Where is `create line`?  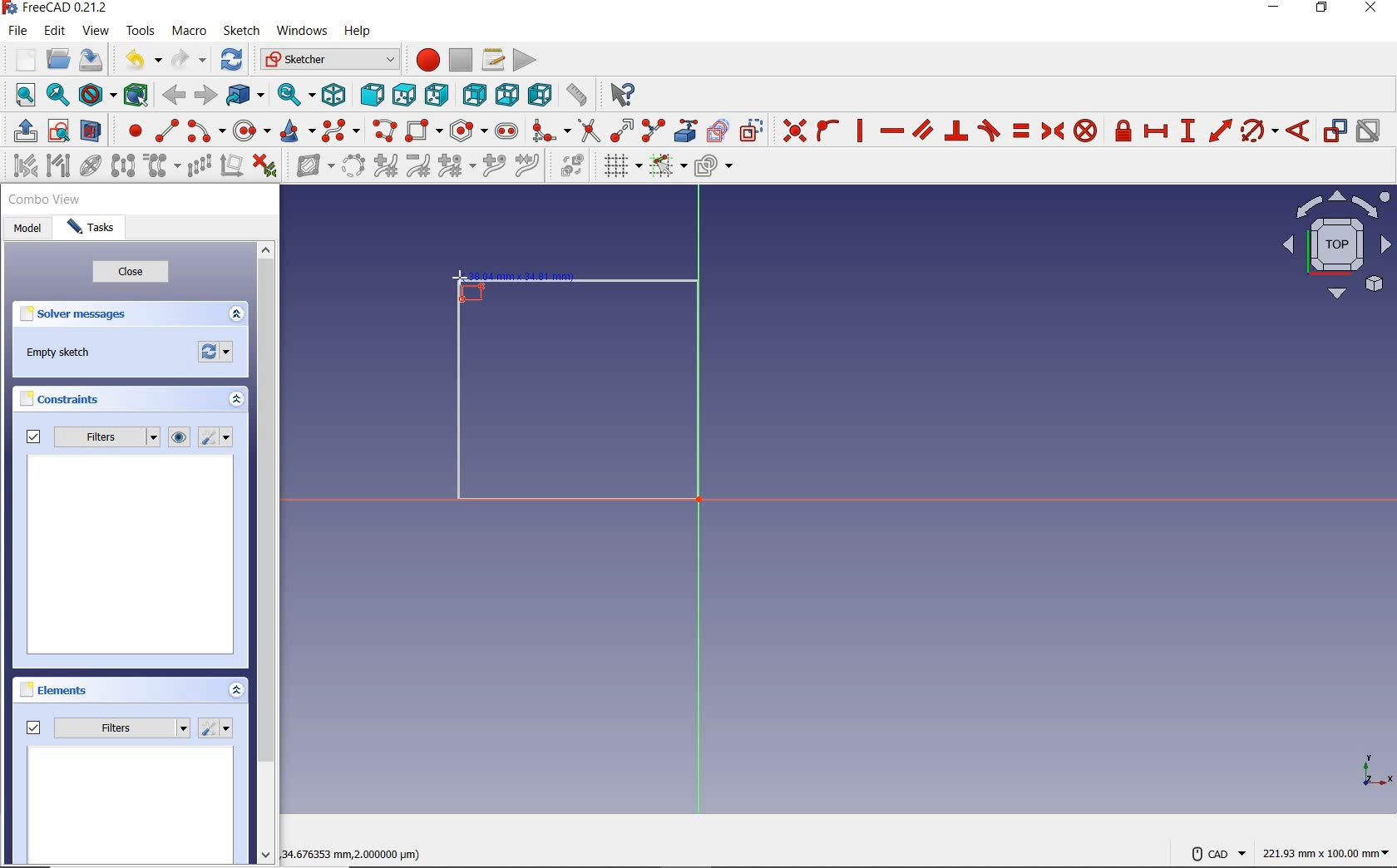 create line is located at coordinates (166, 131).